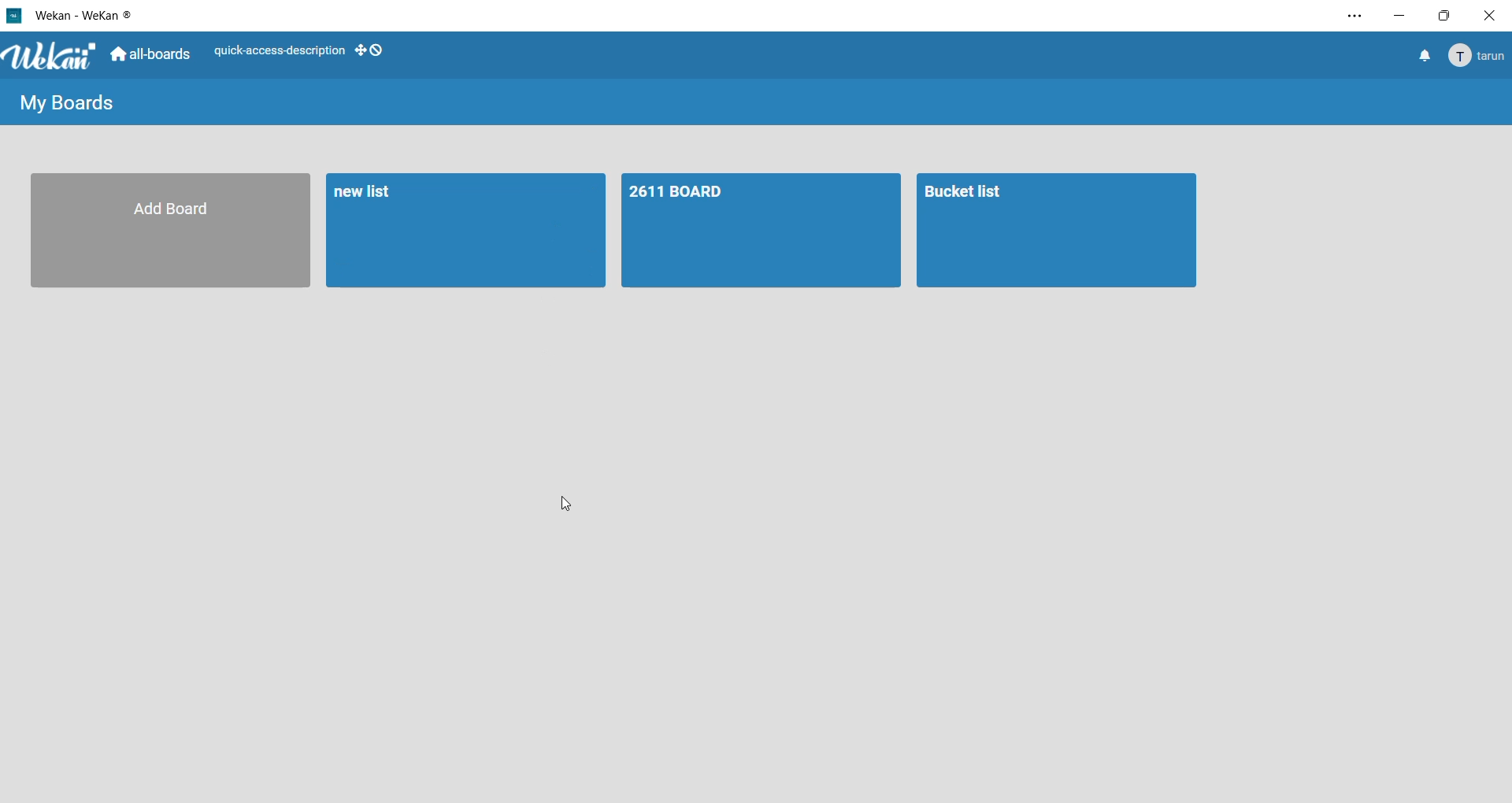  I want to click on board, so click(761, 232).